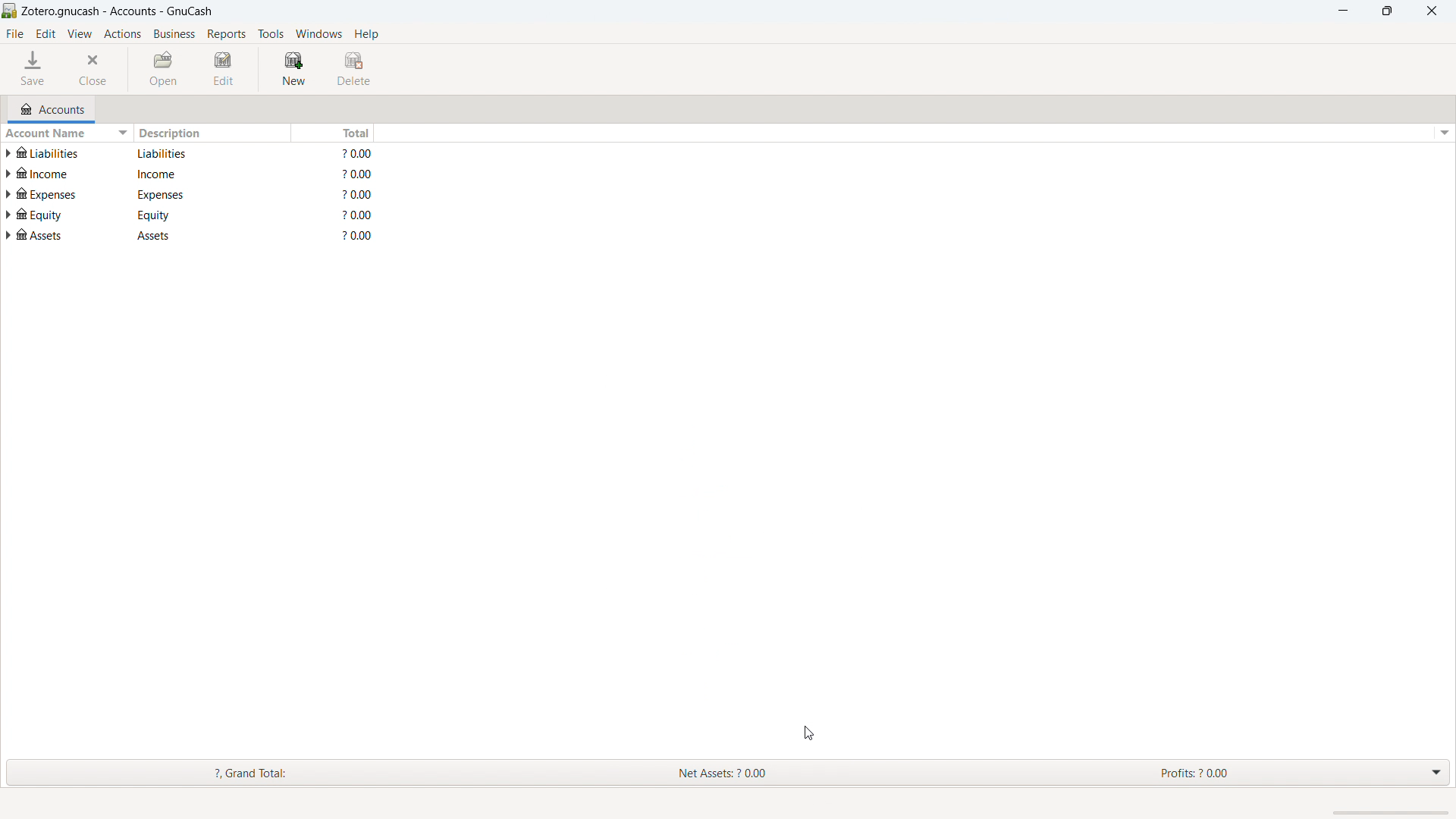 This screenshot has width=1456, height=819. Describe the element at coordinates (351, 216) in the screenshot. I see `total` at that location.